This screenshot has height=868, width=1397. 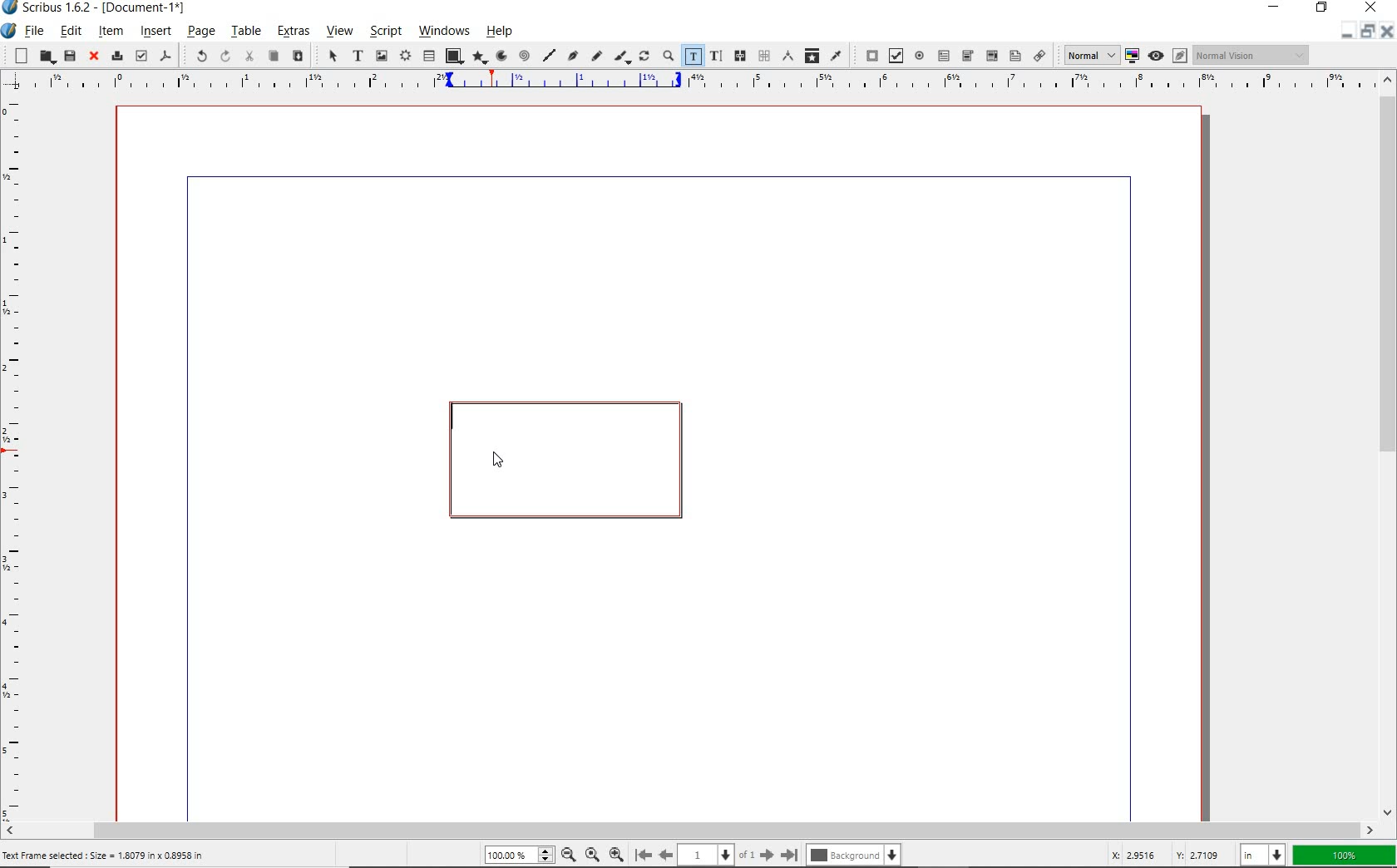 I want to click on measurements, so click(x=786, y=55).